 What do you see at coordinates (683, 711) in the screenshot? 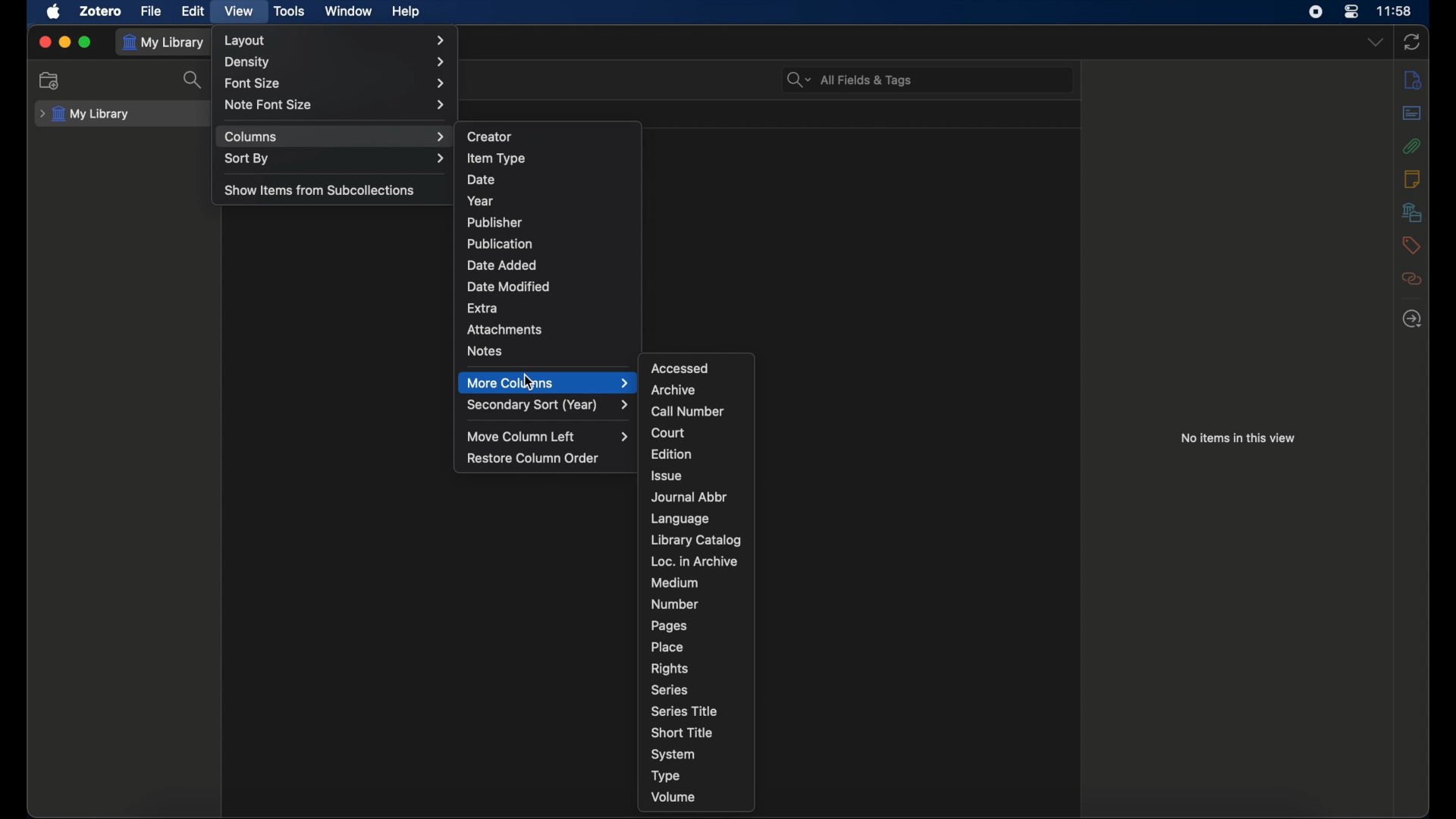
I see `series title` at bounding box center [683, 711].